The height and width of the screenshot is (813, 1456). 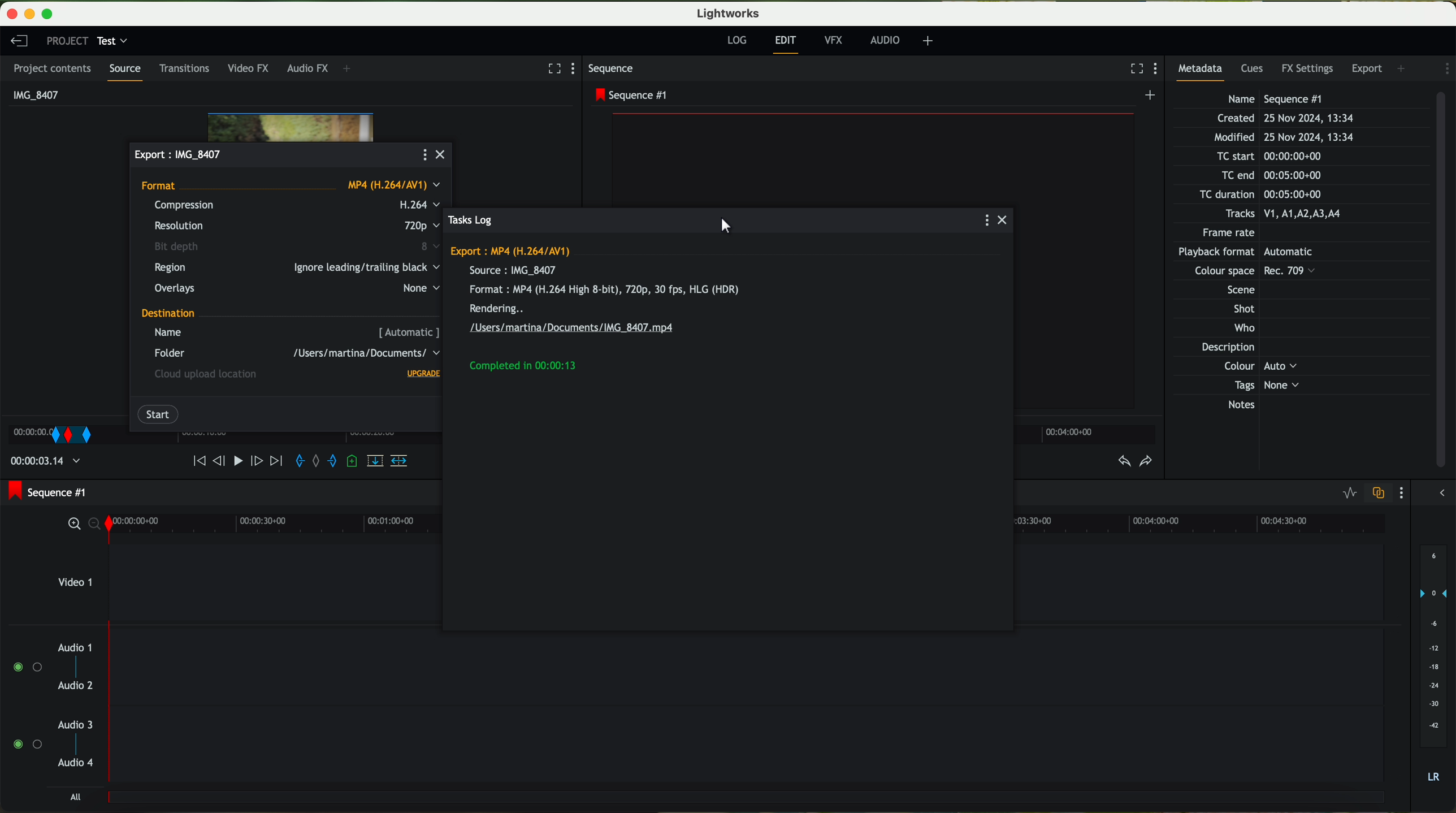 I want to click on clear marks, so click(x=319, y=461).